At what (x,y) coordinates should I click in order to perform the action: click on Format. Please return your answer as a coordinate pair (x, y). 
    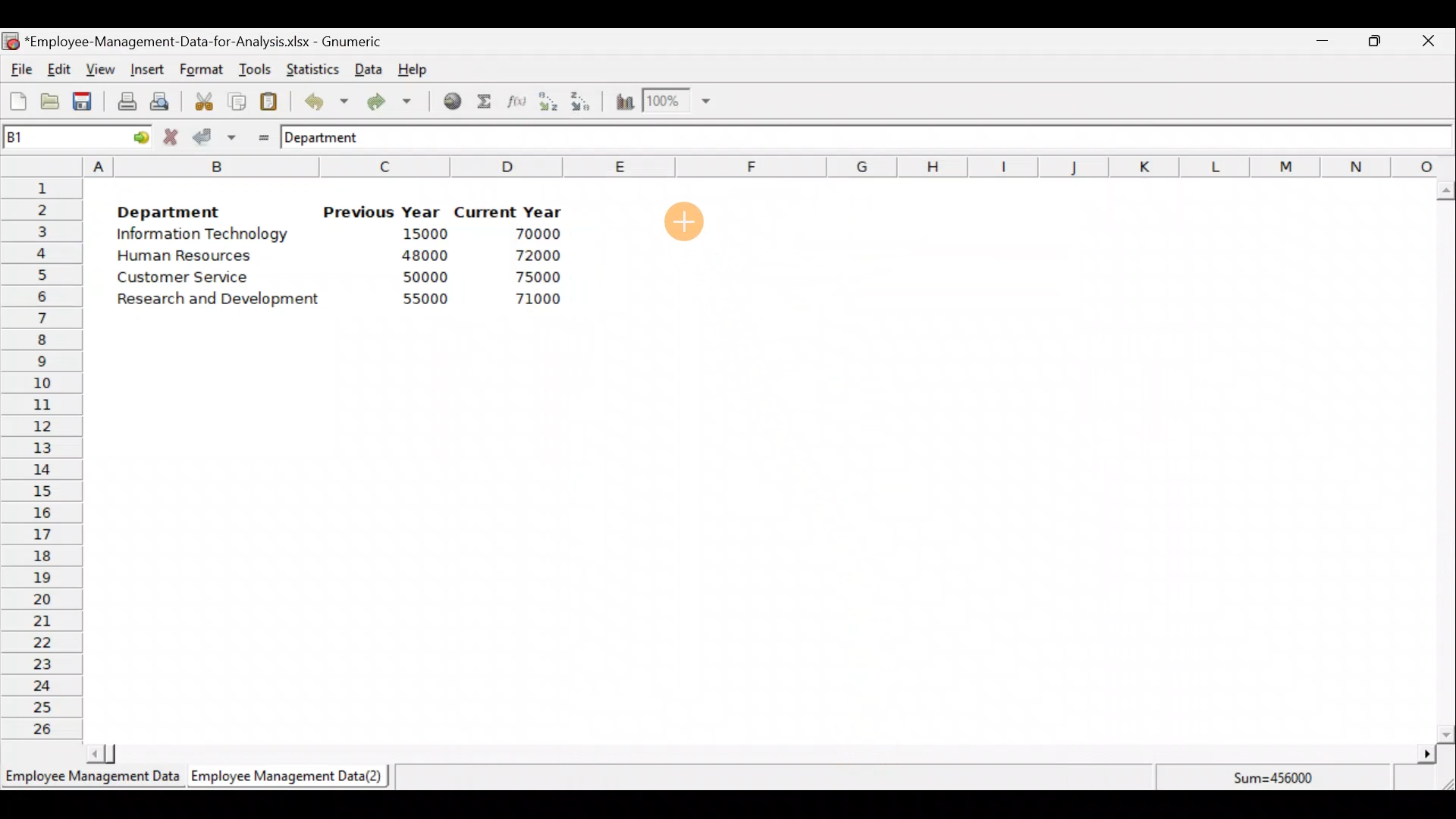
    Looking at the image, I should click on (201, 71).